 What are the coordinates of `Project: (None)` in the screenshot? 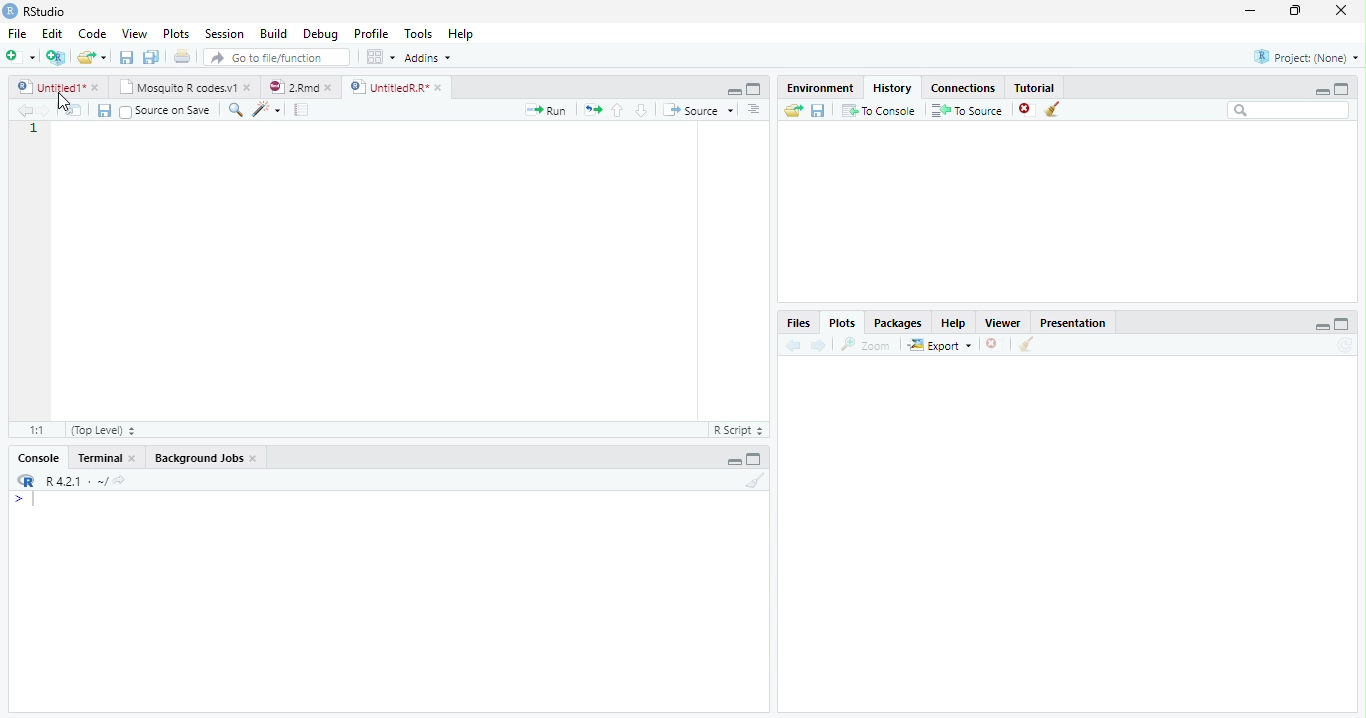 It's located at (1306, 57).